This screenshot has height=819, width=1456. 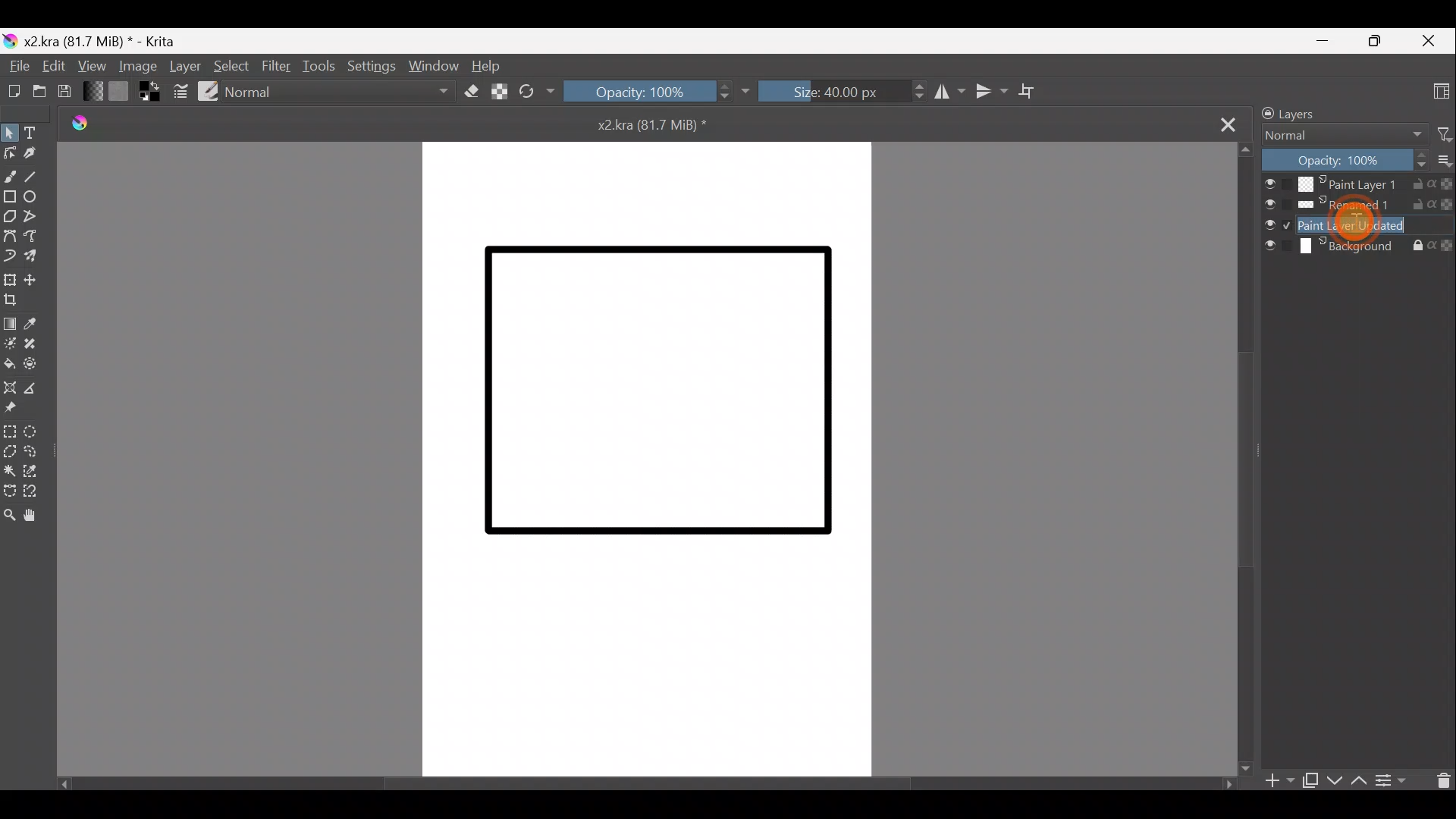 I want to click on Magnetic curve selection tool, so click(x=35, y=491).